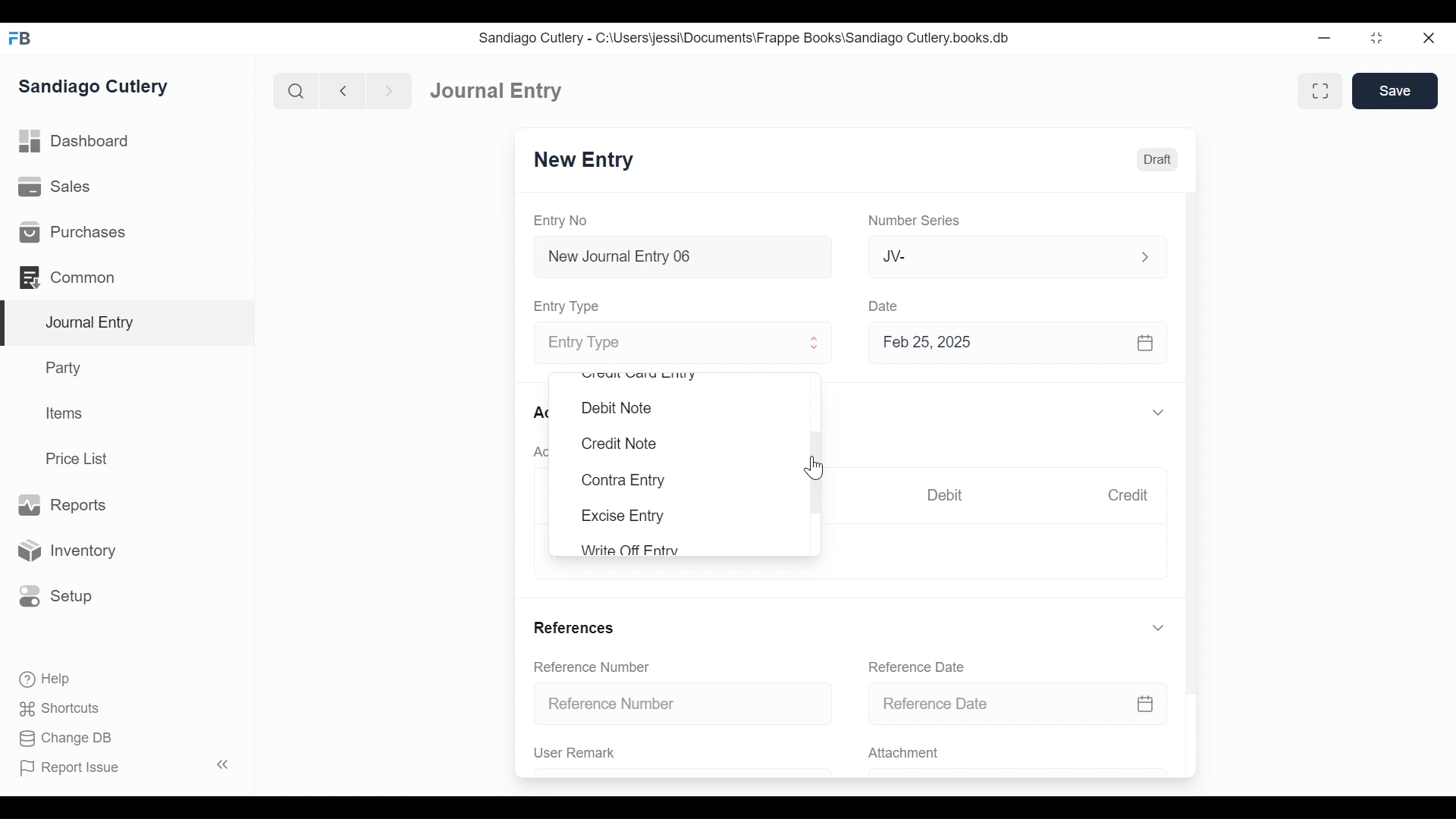 Image resolution: width=1456 pixels, height=819 pixels. Describe the element at coordinates (575, 752) in the screenshot. I see `User Remark` at that location.